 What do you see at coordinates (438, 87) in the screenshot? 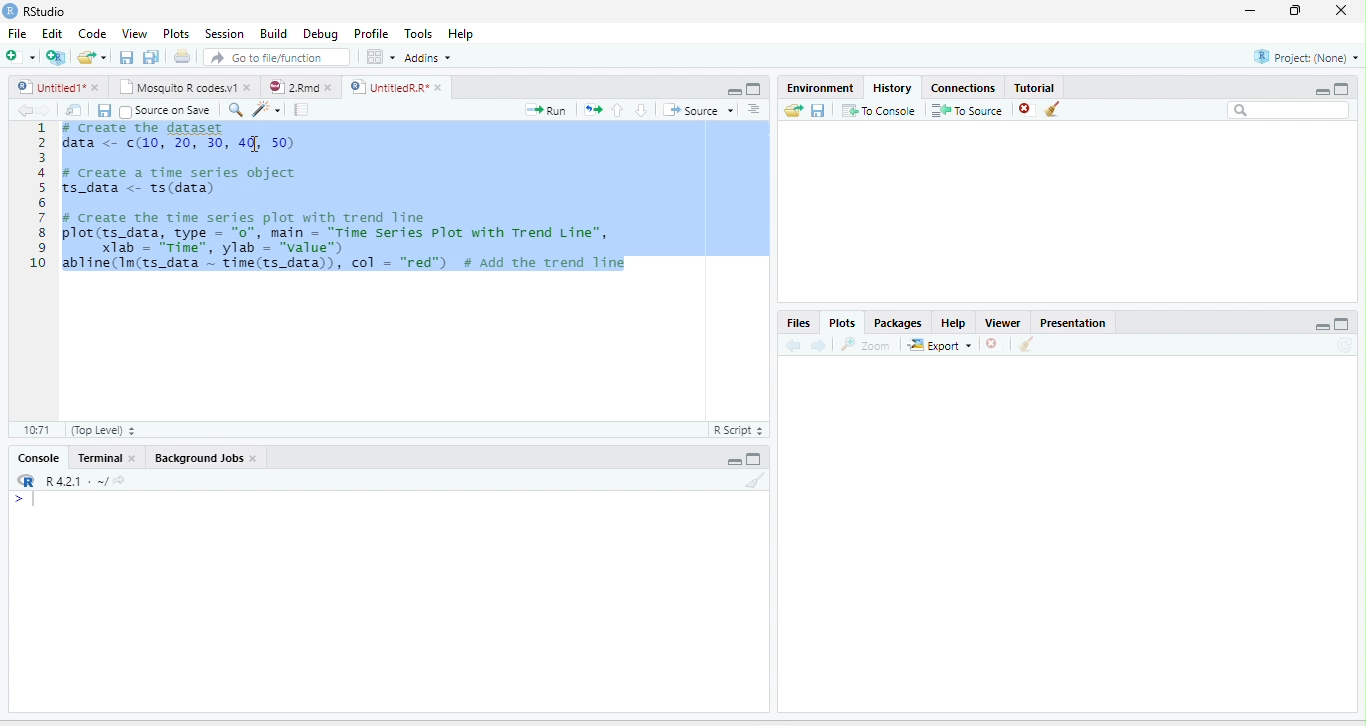
I see `close` at bounding box center [438, 87].